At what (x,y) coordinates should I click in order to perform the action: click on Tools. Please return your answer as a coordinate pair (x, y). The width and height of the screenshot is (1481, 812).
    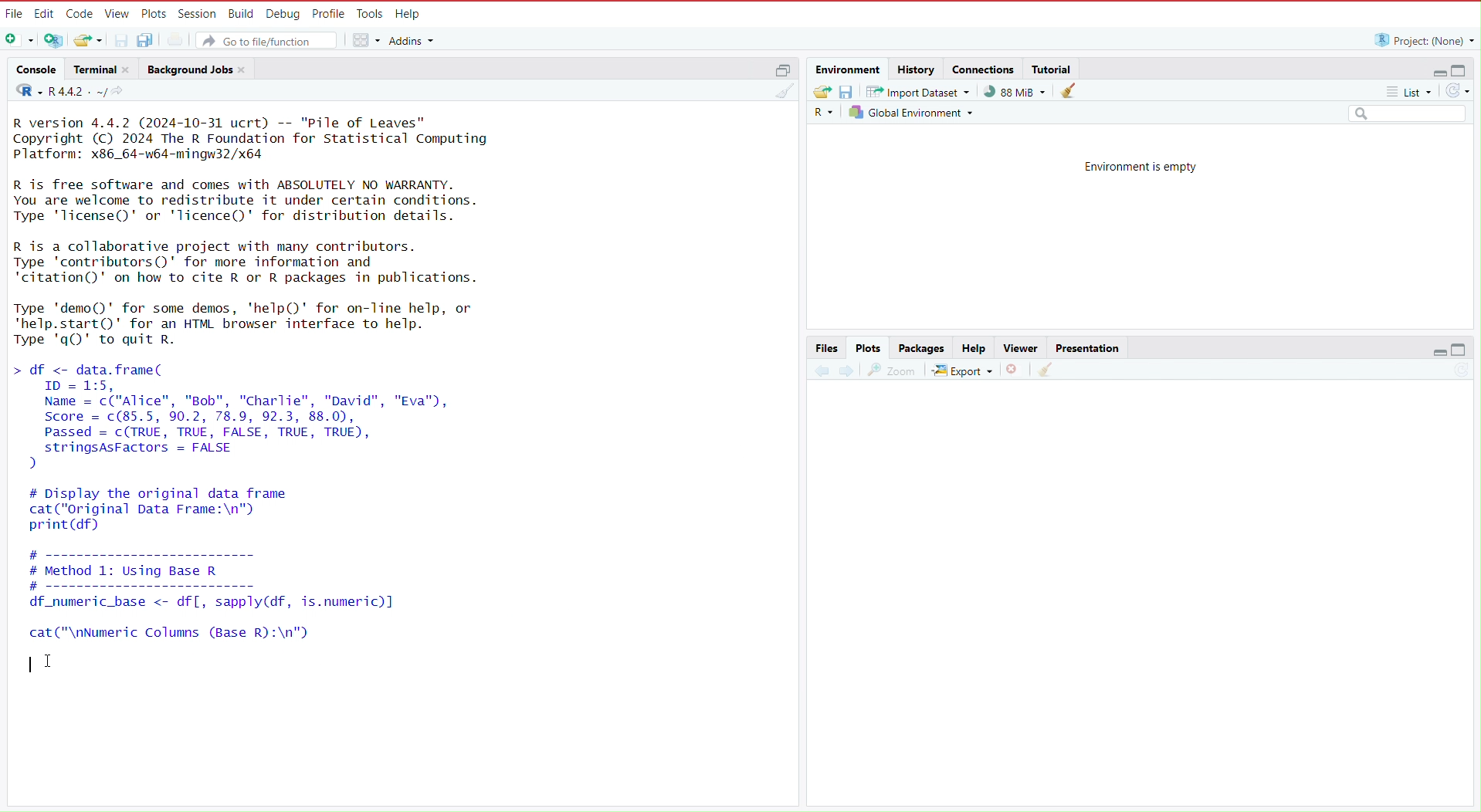
    Looking at the image, I should click on (371, 13).